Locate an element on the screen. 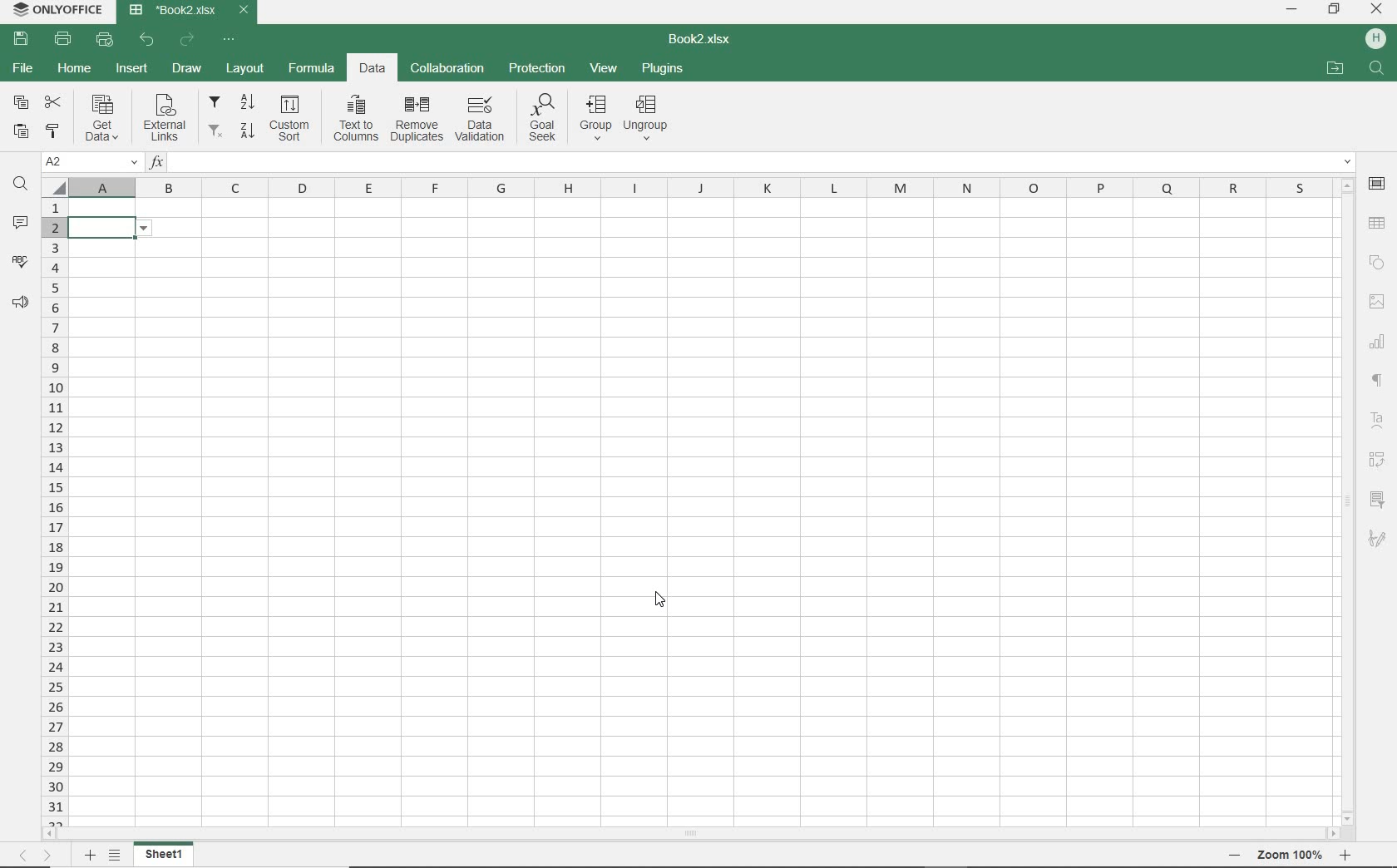 The image size is (1397, 868). LIST OF SHEETS is located at coordinates (118, 856).